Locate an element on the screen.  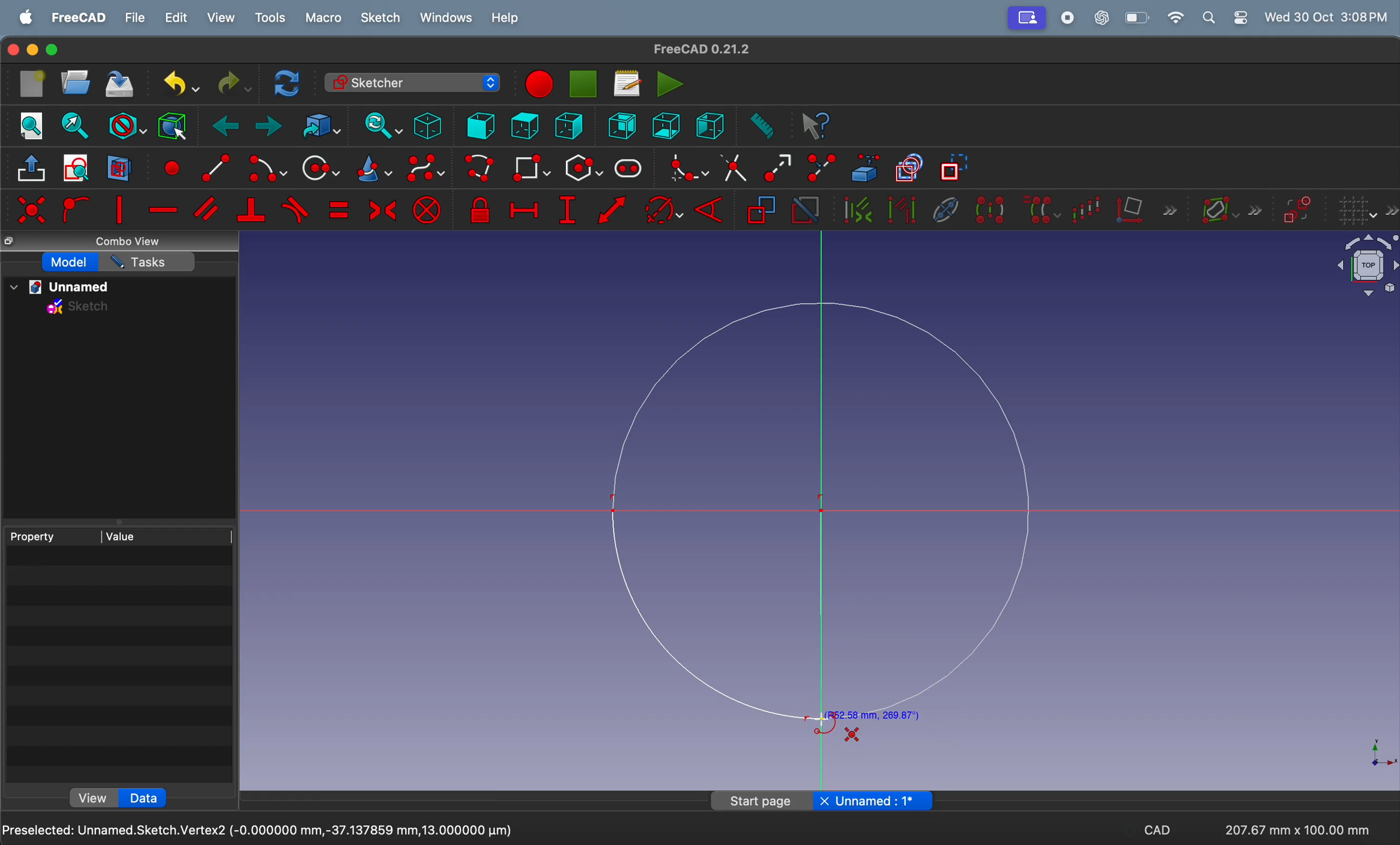
Start page is located at coordinates (763, 800).